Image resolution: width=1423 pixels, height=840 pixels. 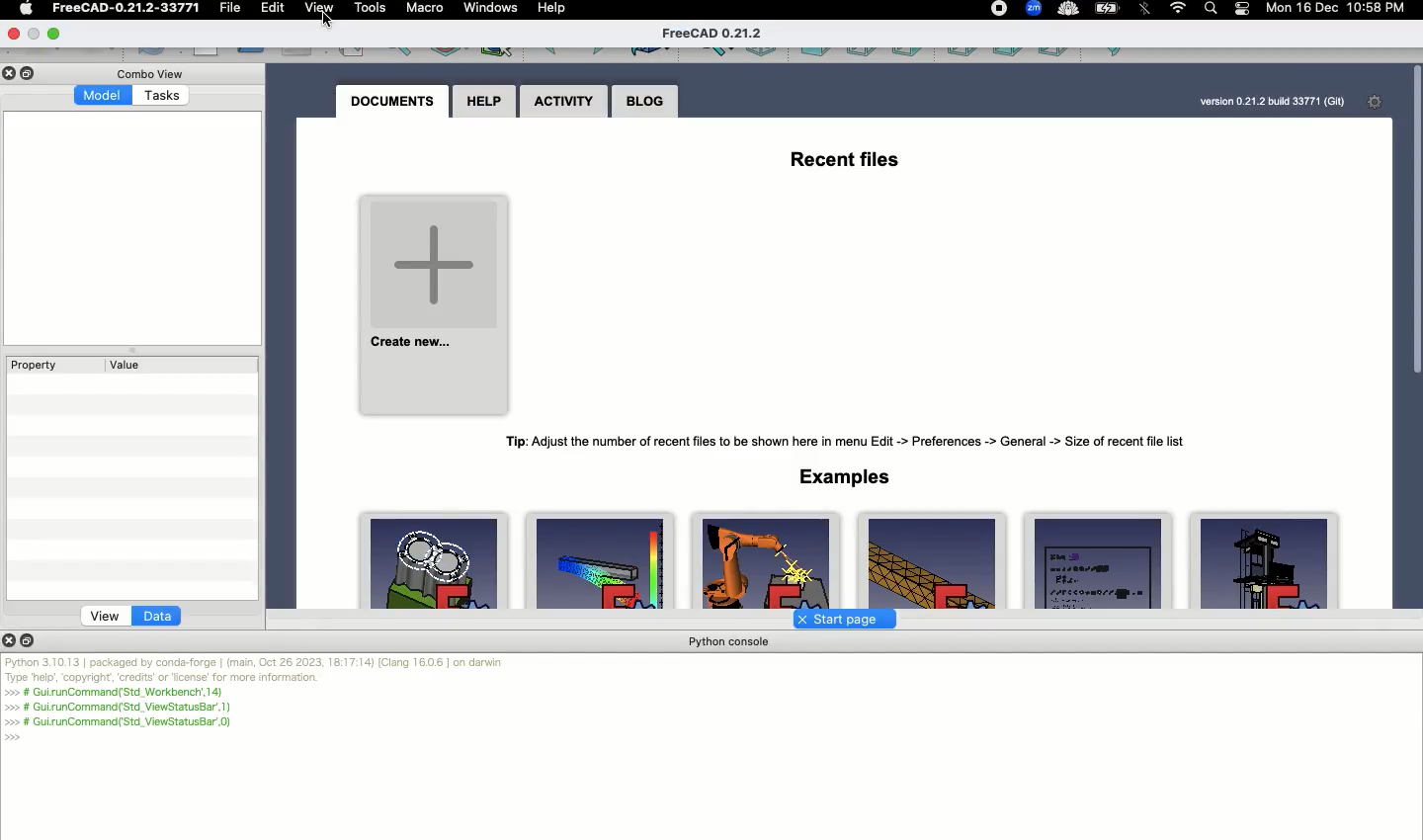 What do you see at coordinates (275, 10) in the screenshot?
I see `Edit` at bounding box center [275, 10].